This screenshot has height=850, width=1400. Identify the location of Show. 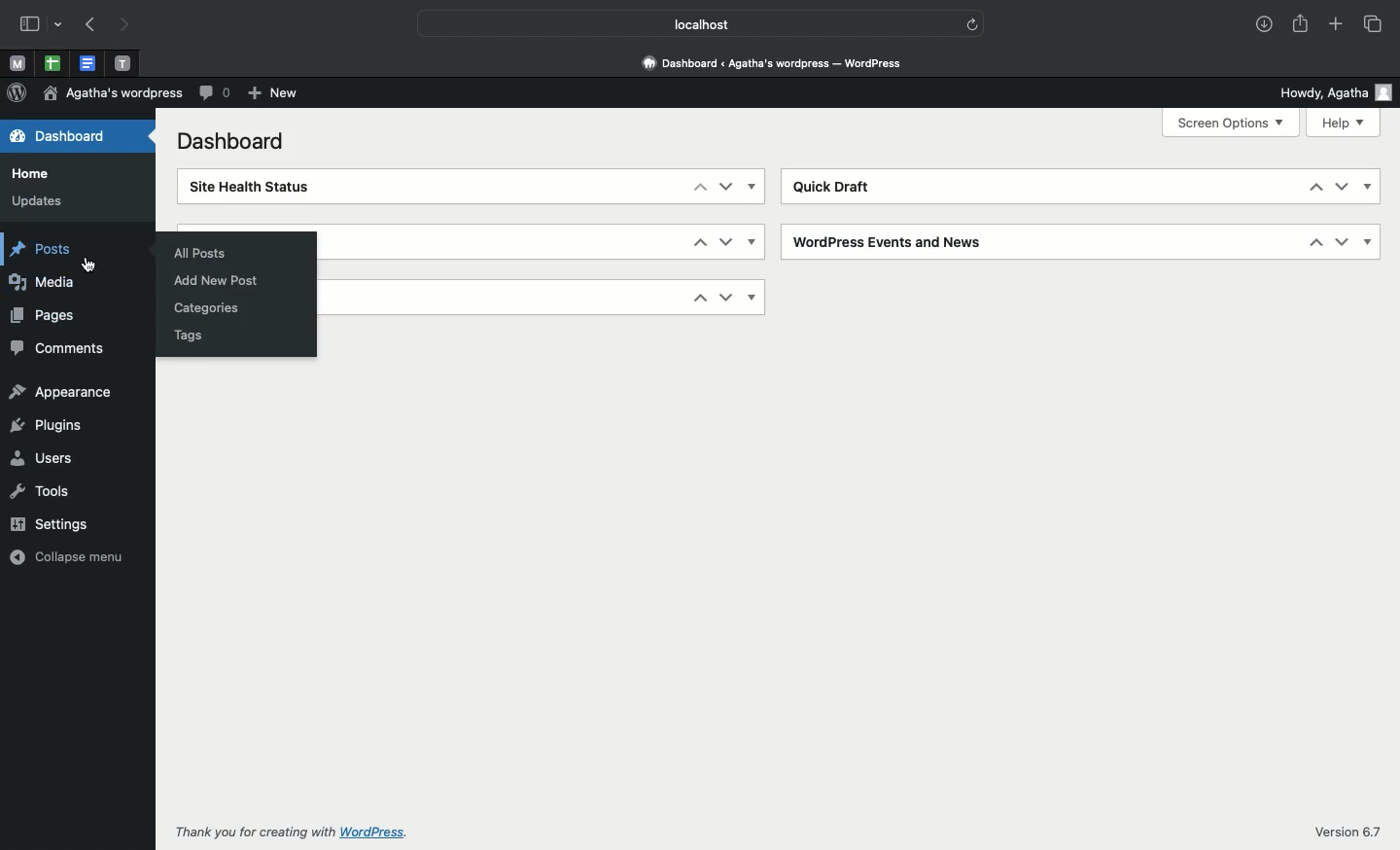
(1369, 241).